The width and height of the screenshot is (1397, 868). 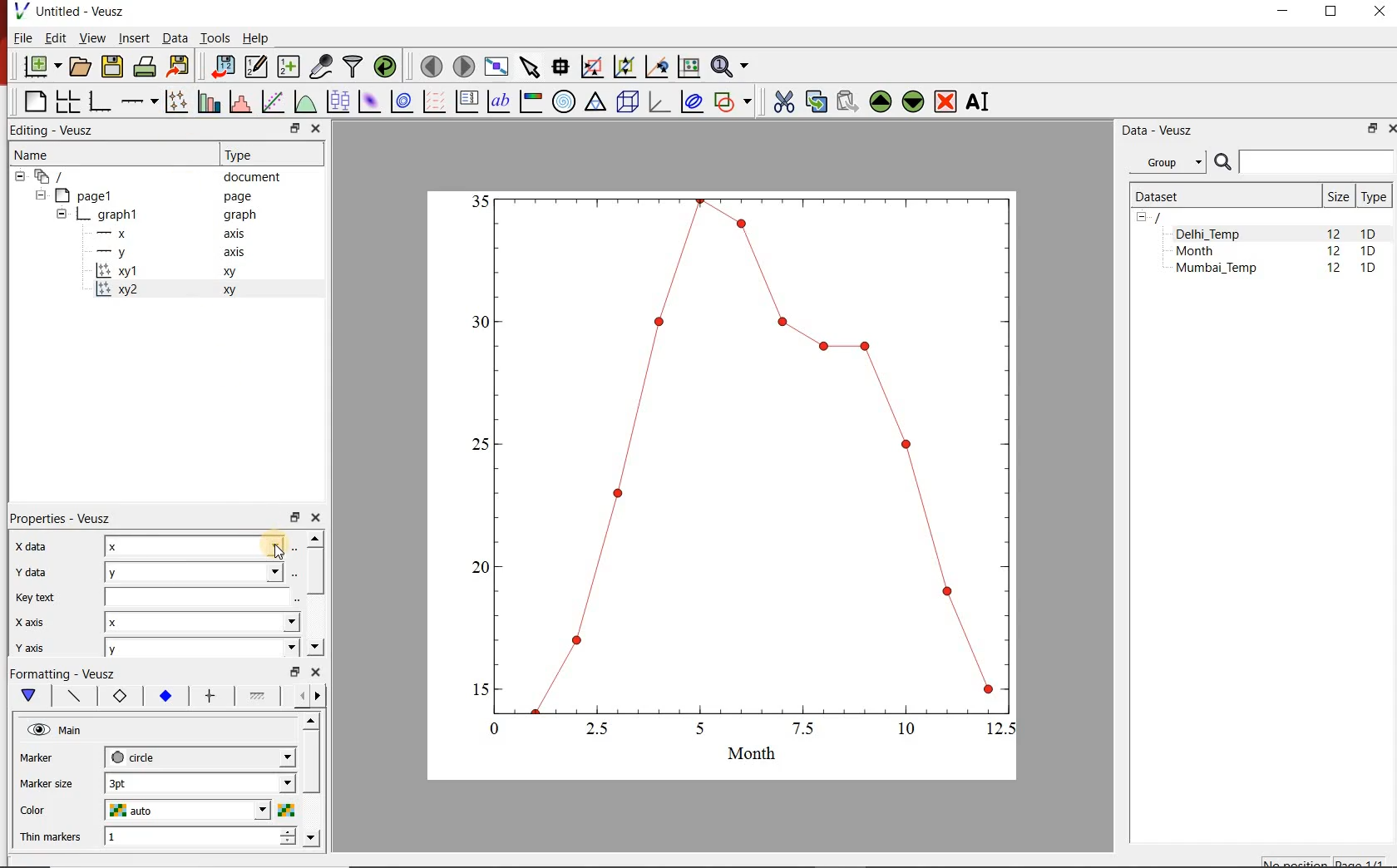 What do you see at coordinates (385, 65) in the screenshot?
I see `reload linked datasets` at bounding box center [385, 65].